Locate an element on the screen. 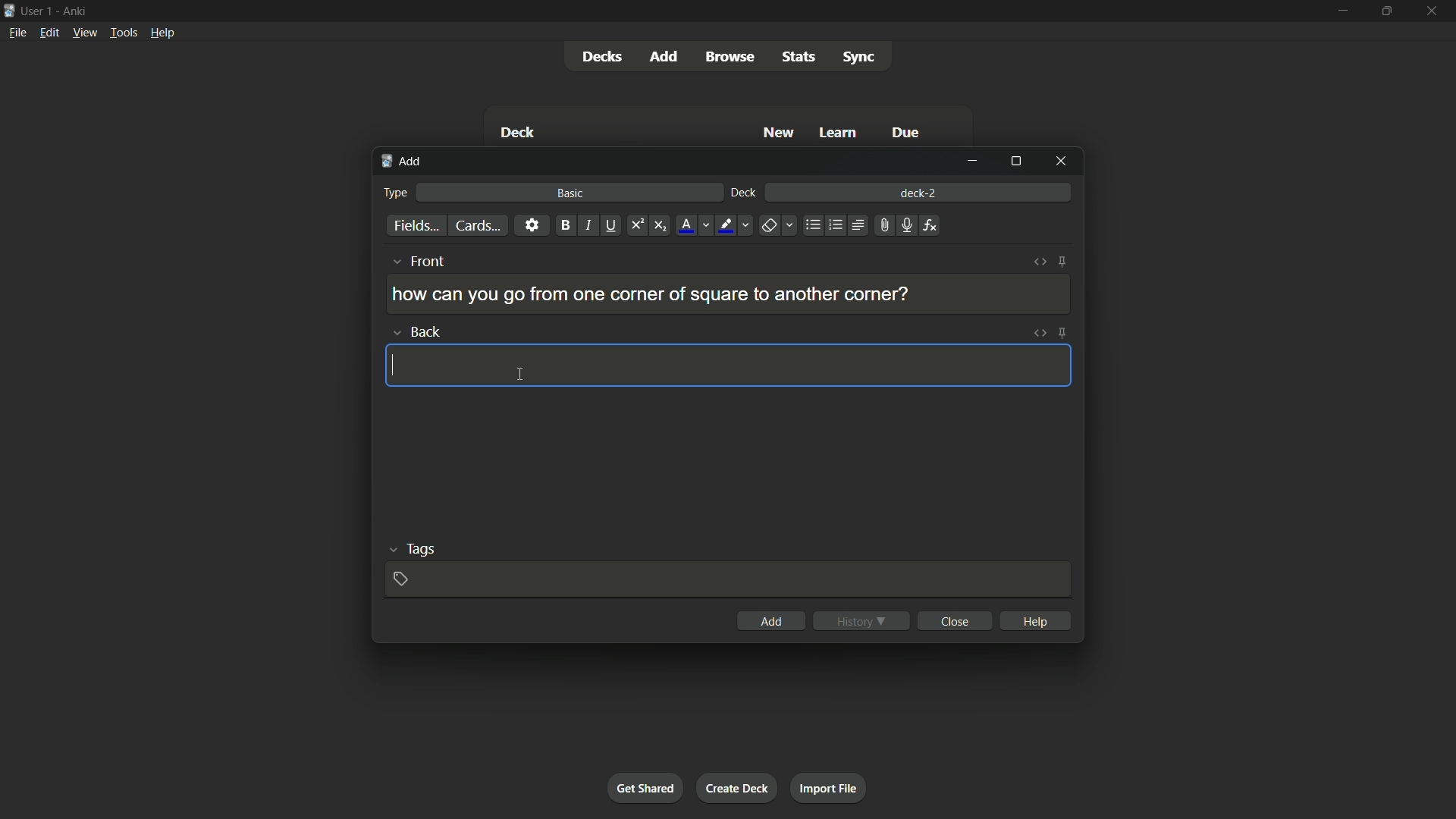 The width and height of the screenshot is (1456, 819). add tag is located at coordinates (403, 579).